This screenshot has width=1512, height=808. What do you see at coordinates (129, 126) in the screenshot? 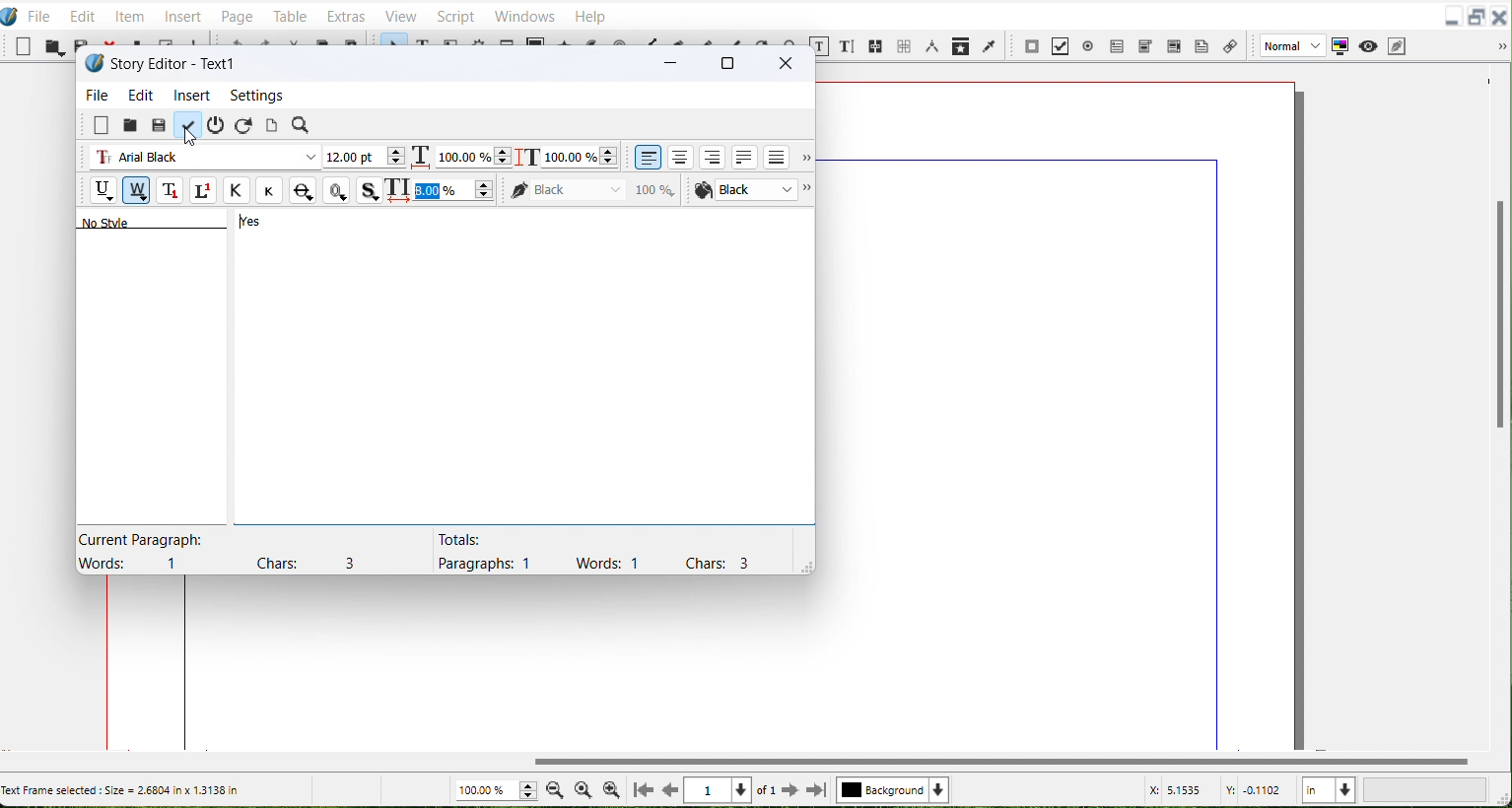
I see `Load from file` at bounding box center [129, 126].